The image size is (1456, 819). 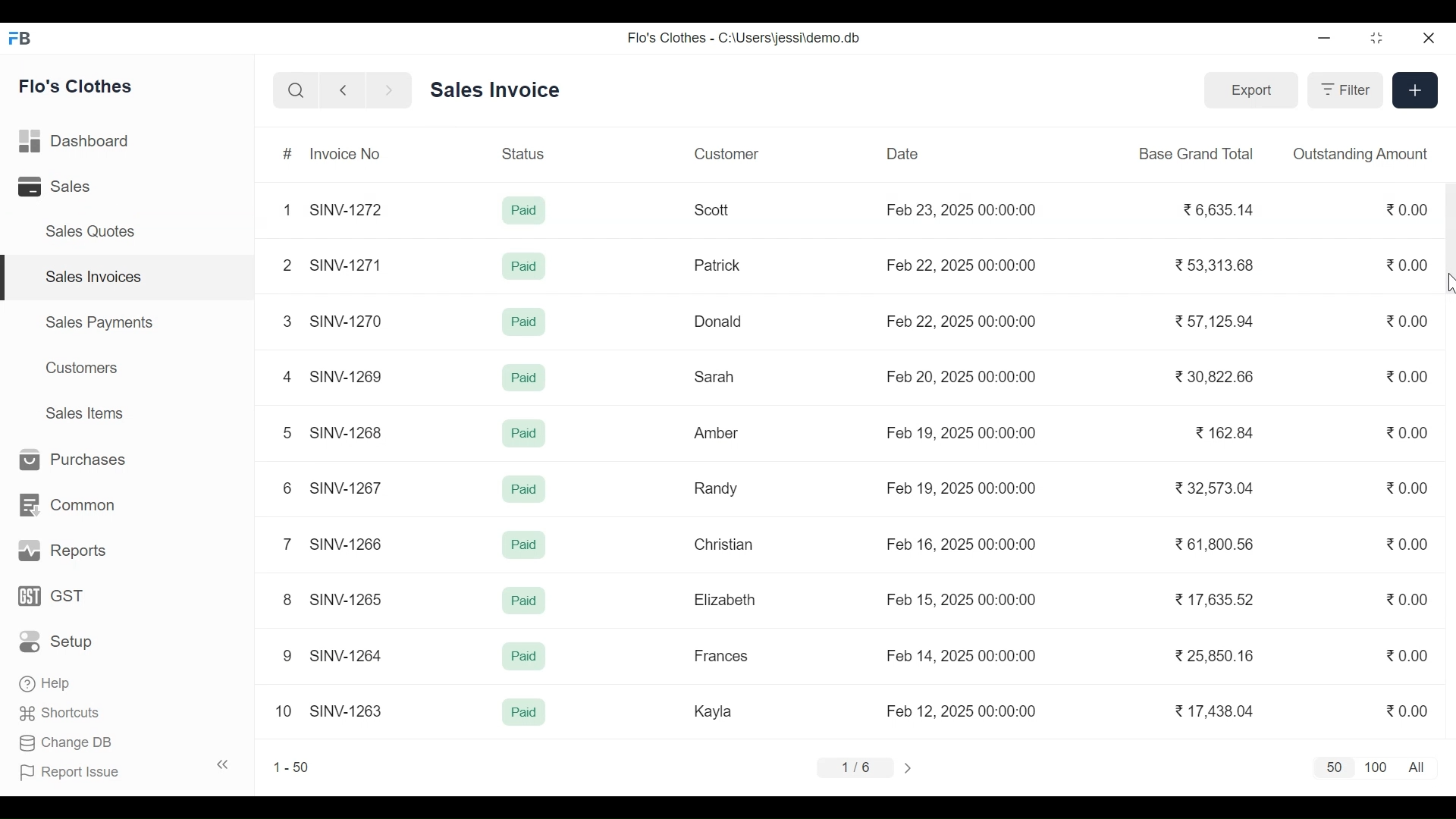 What do you see at coordinates (61, 641) in the screenshot?
I see `Setup` at bounding box center [61, 641].